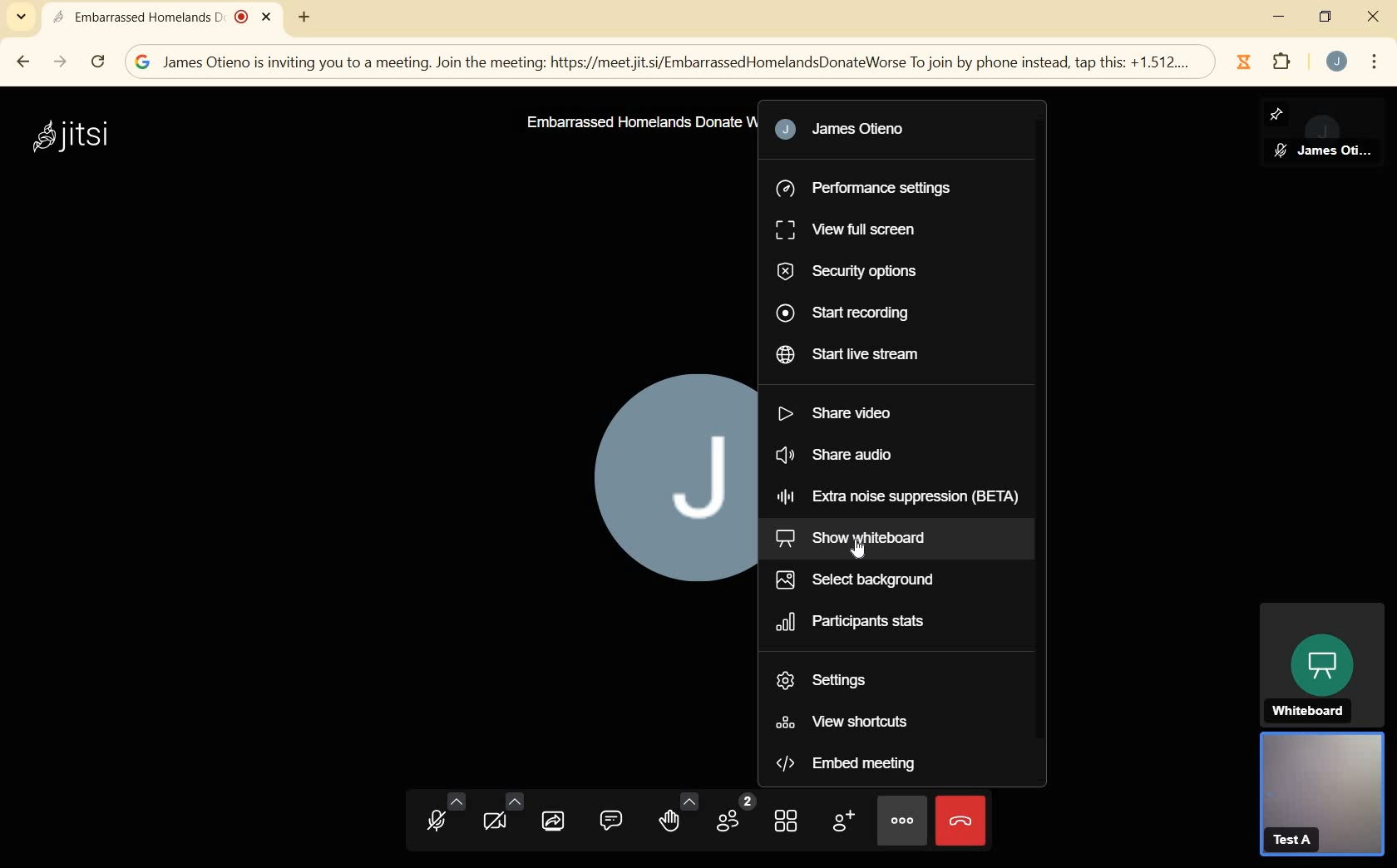  I want to click on invite people, so click(844, 823).